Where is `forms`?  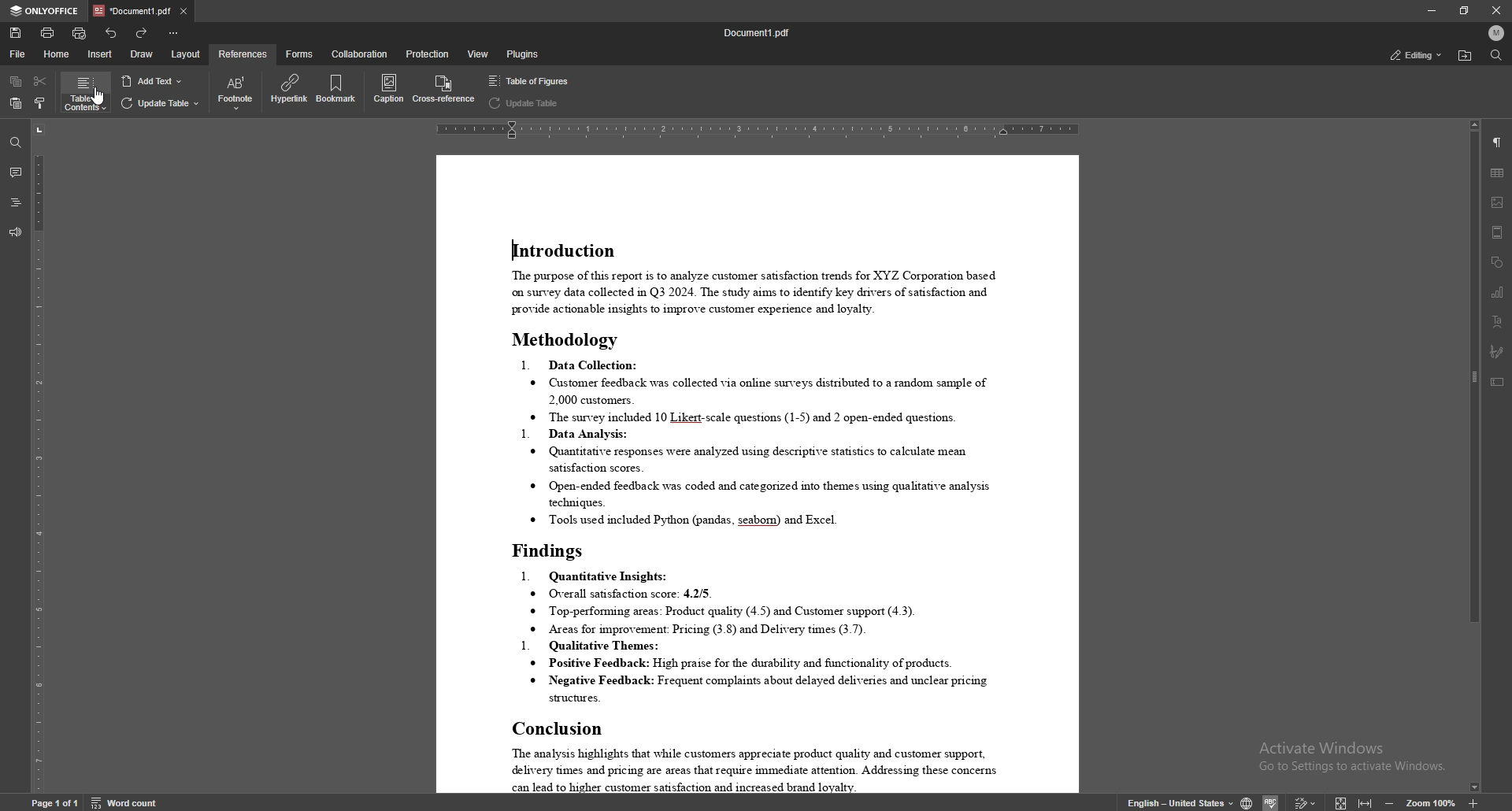
forms is located at coordinates (299, 54).